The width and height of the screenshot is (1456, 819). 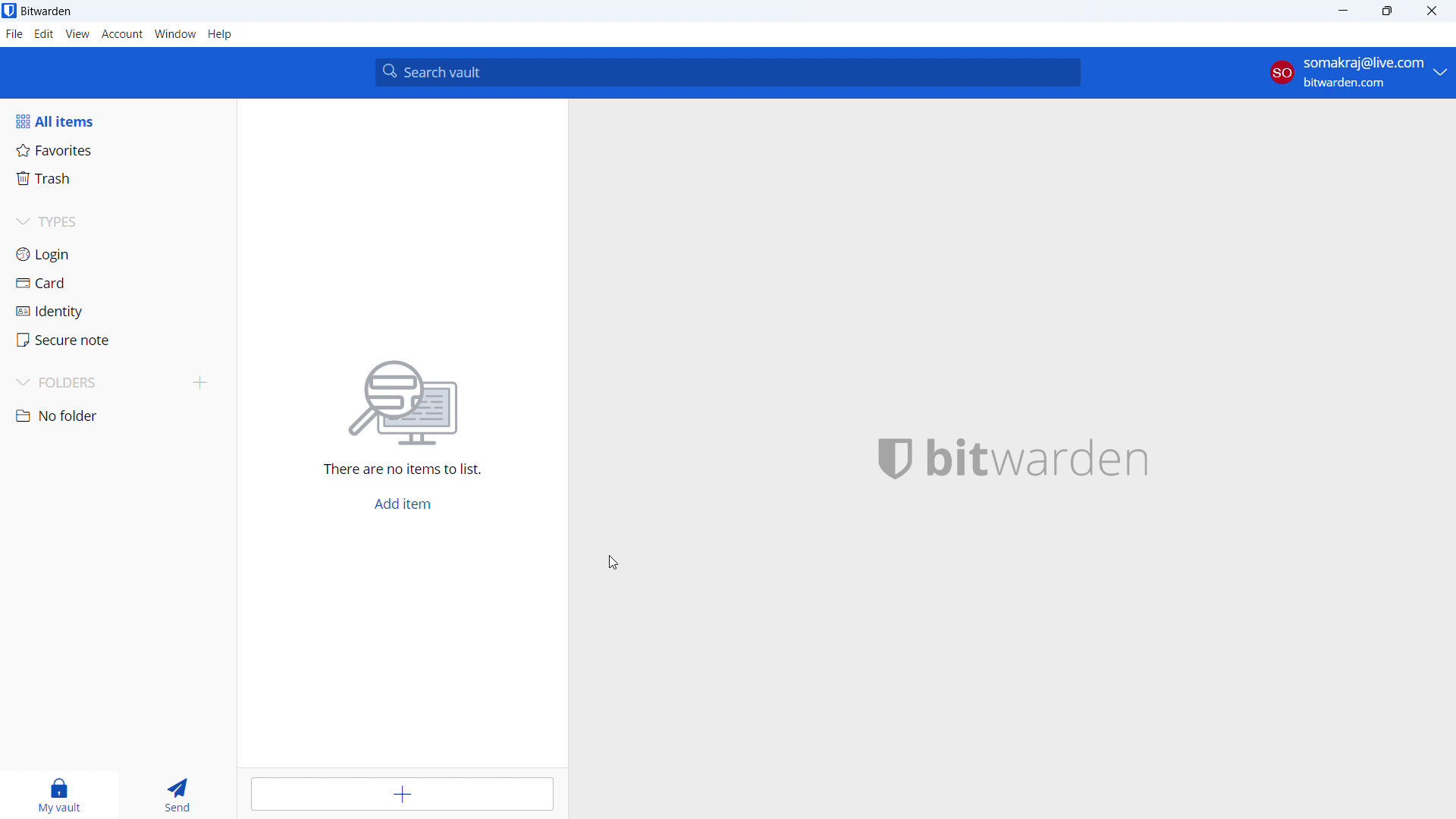 What do you see at coordinates (121, 34) in the screenshot?
I see `account` at bounding box center [121, 34].